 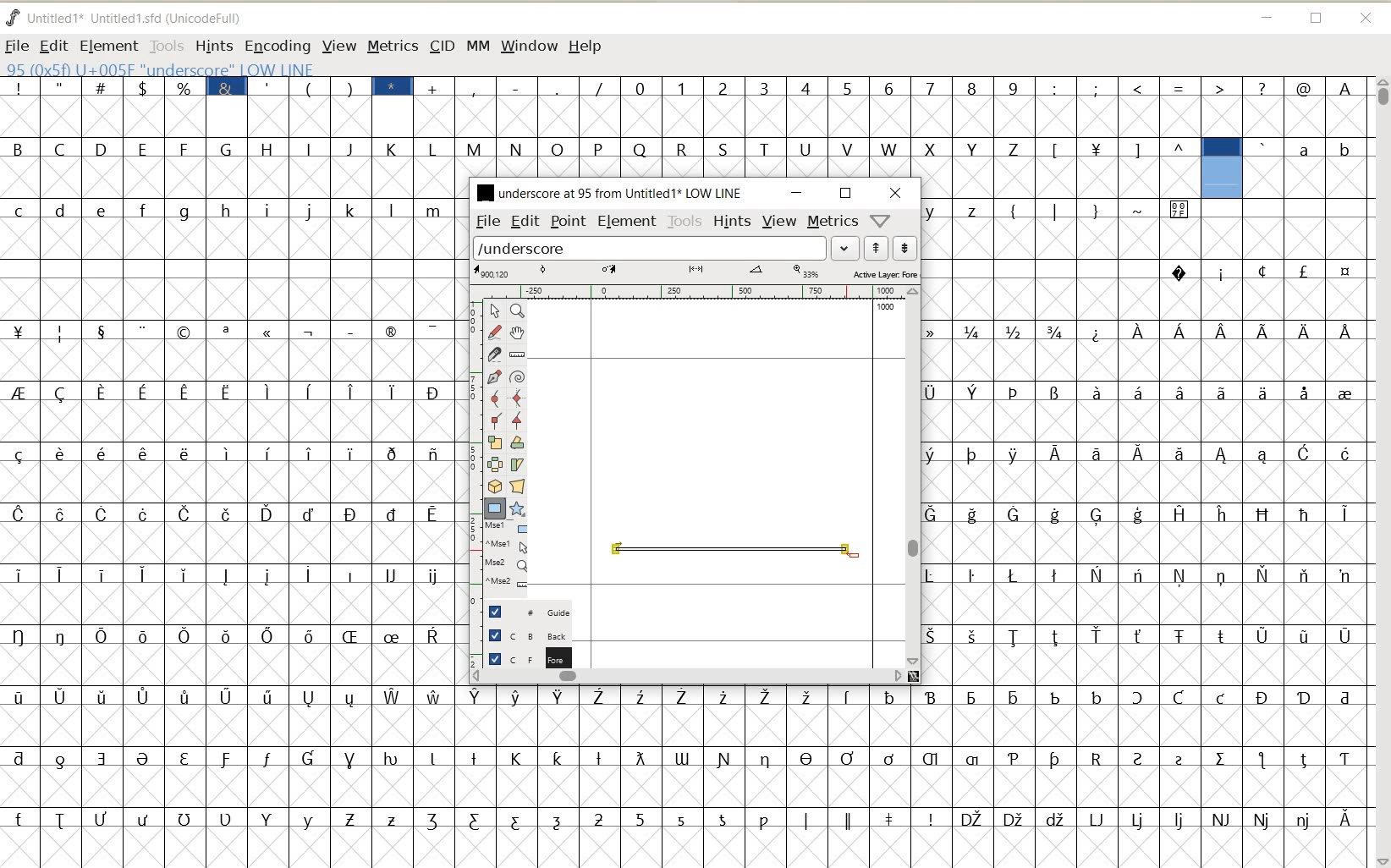 I want to click on GLYPHY CHARACTERS, so click(x=229, y=461).